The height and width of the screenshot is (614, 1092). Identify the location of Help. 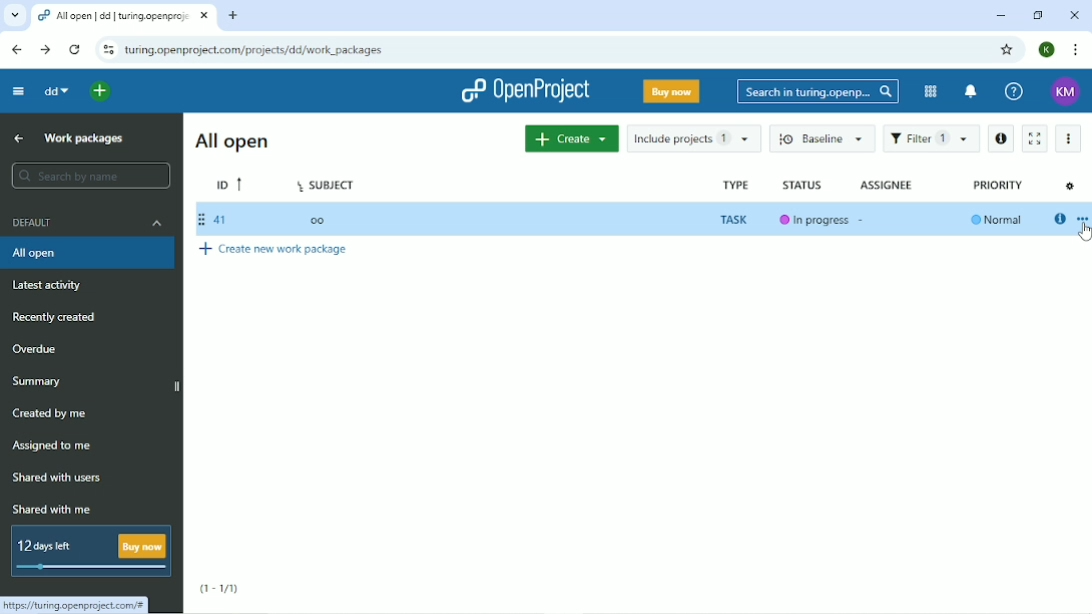
(1014, 90).